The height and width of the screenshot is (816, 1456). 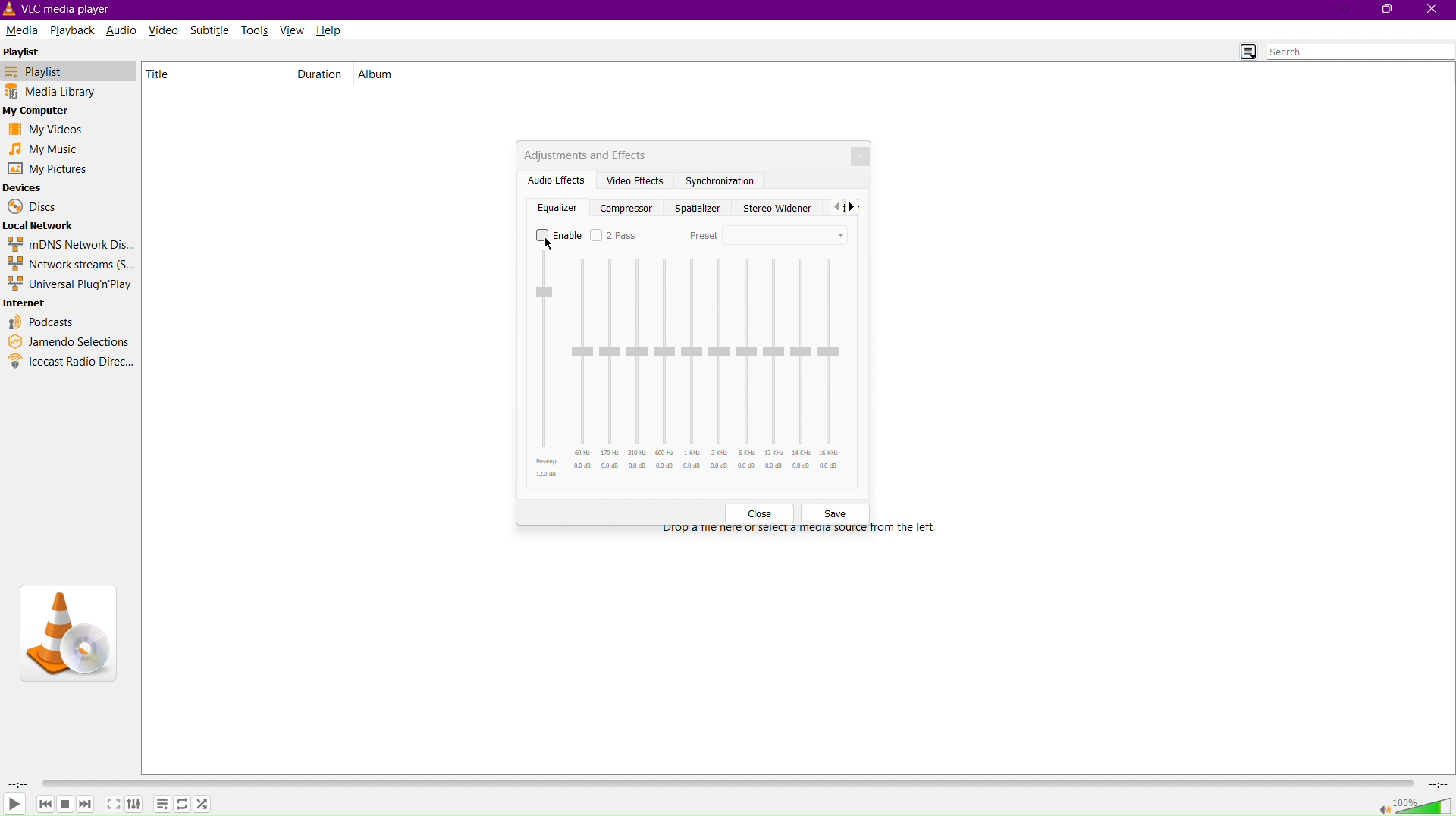 I want to click on Equalizer, so click(x=561, y=206).